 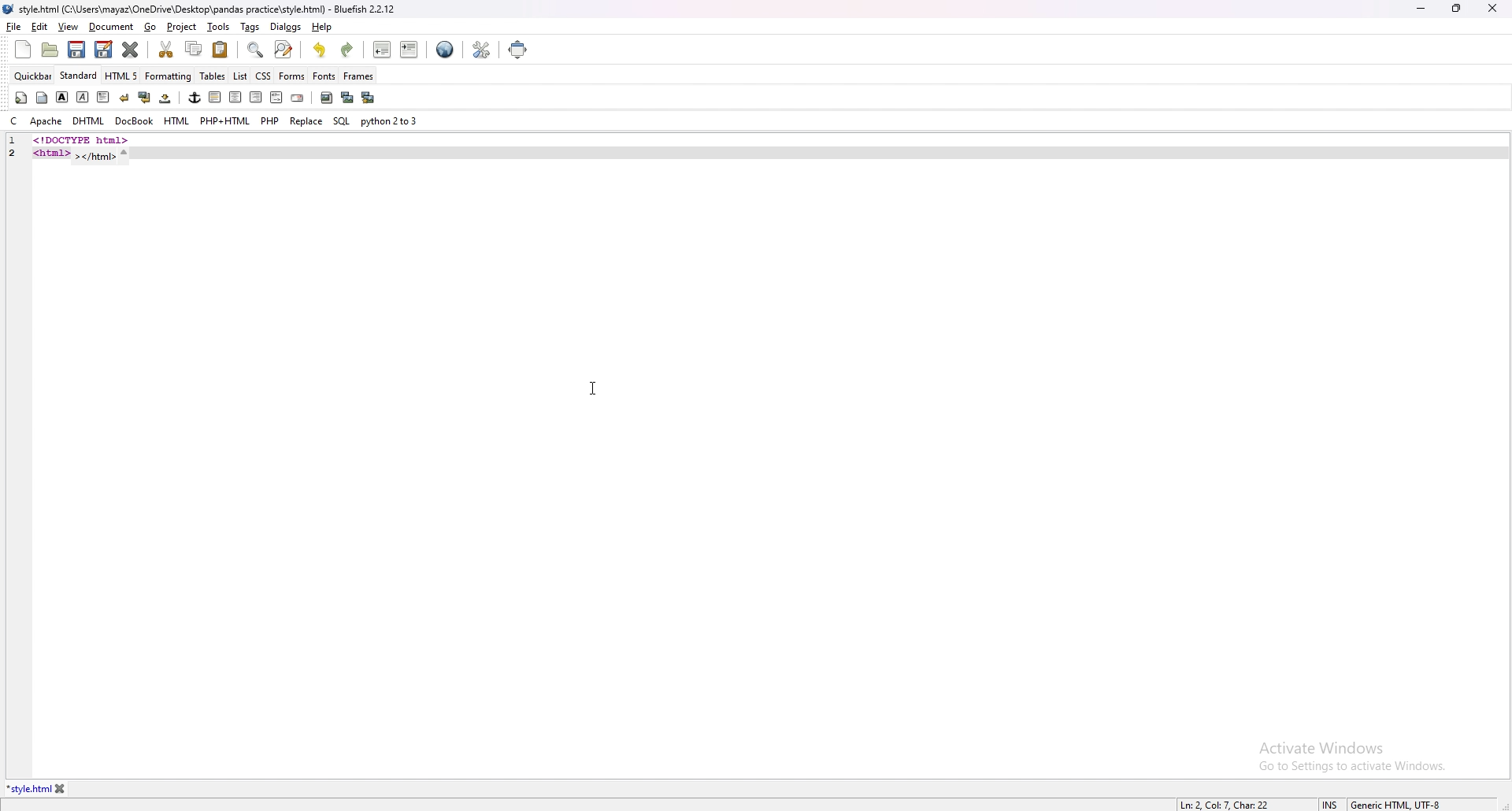 What do you see at coordinates (213, 76) in the screenshot?
I see `tables` at bounding box center [213, 76].